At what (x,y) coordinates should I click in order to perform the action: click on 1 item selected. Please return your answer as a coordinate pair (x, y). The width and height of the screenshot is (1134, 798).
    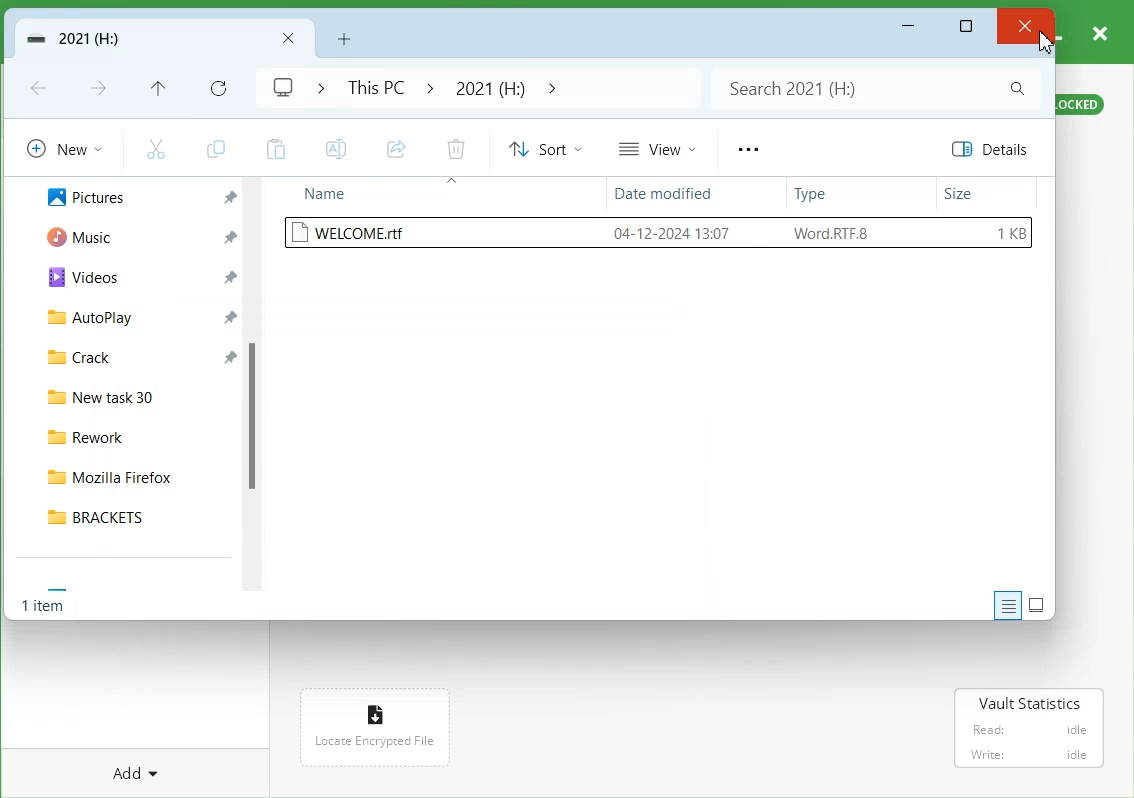
    Looking at the image, I should click on (145, 605).